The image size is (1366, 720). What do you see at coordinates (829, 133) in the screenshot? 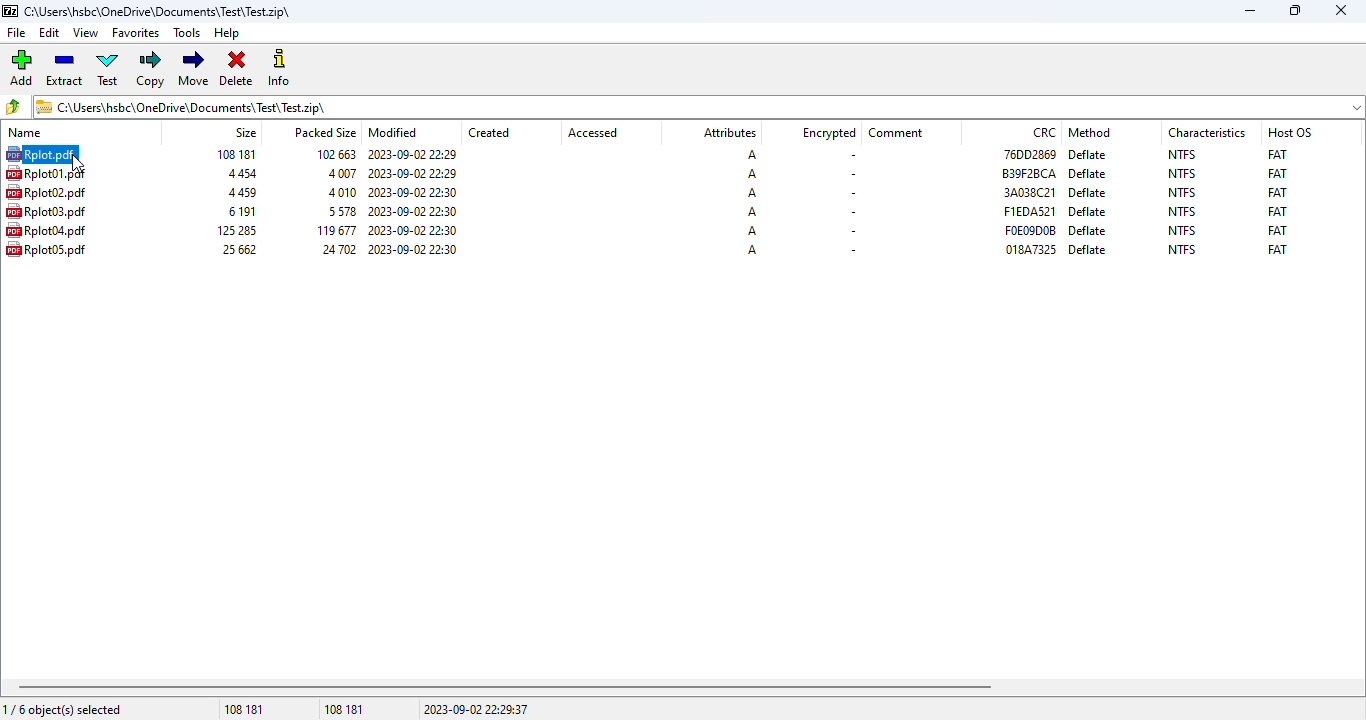
I see `encrypted` at bounding box center [829, 133].